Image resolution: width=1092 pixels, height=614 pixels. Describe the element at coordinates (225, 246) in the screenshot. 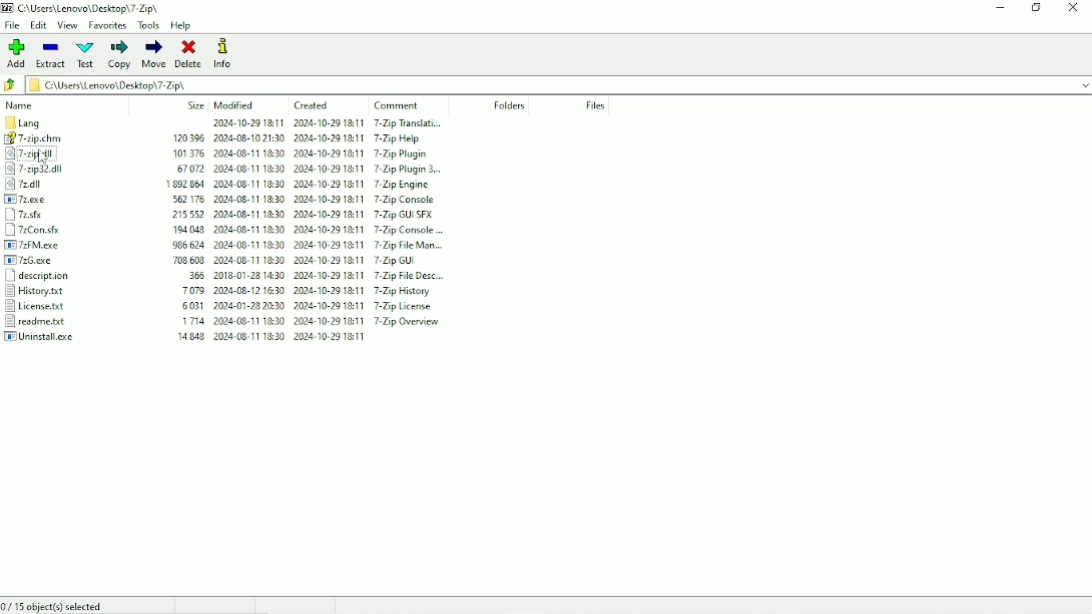

I see `7zFM.exe` at that location.